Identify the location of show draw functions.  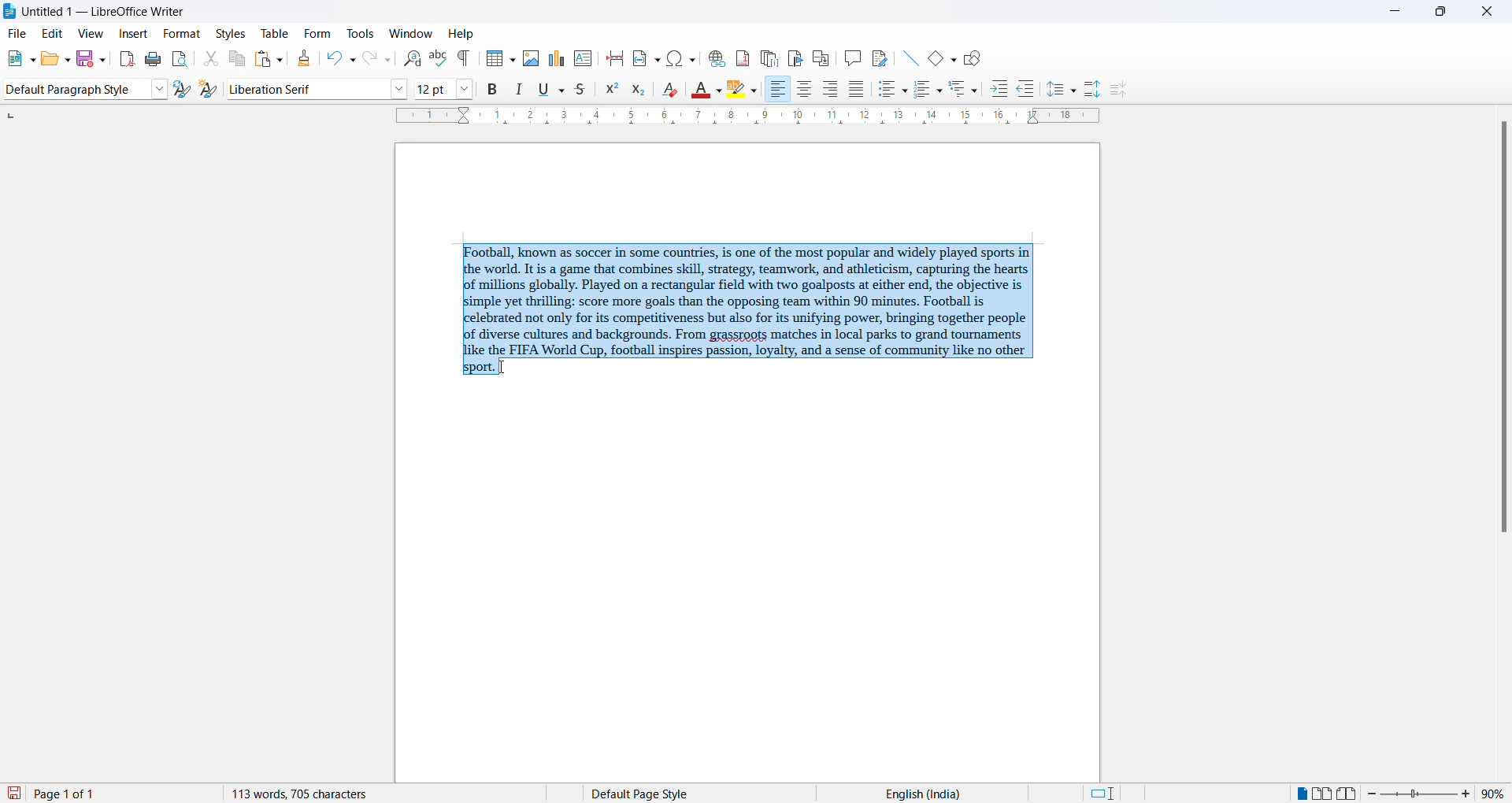
(976, 59).